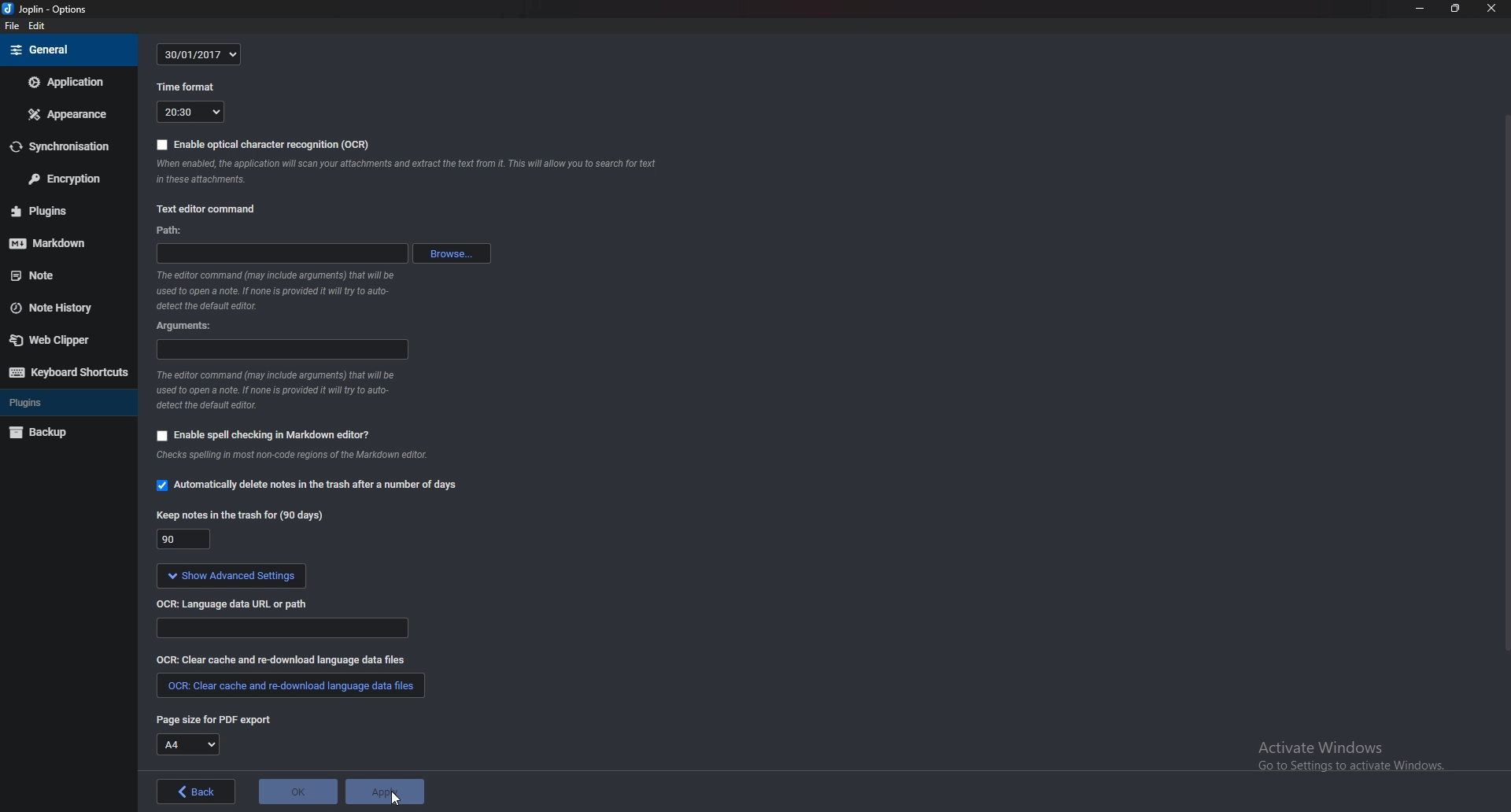  What do you see at coordinates (269, 576) in the screenshot?
I see `show advanced settings` at bounding box center [269, 576].